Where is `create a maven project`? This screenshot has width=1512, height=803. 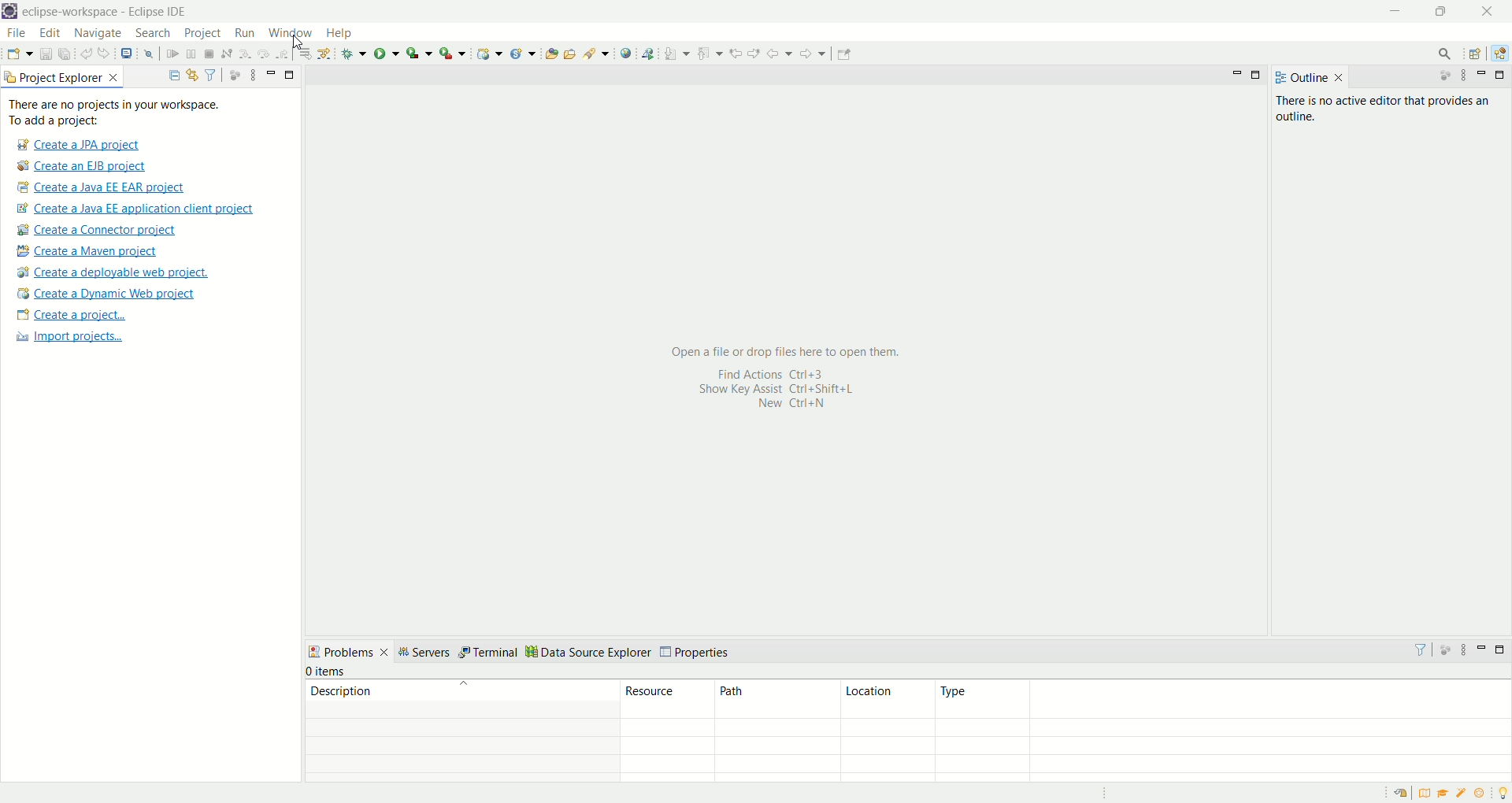 create a maven project is located at coordinates (92, 252).